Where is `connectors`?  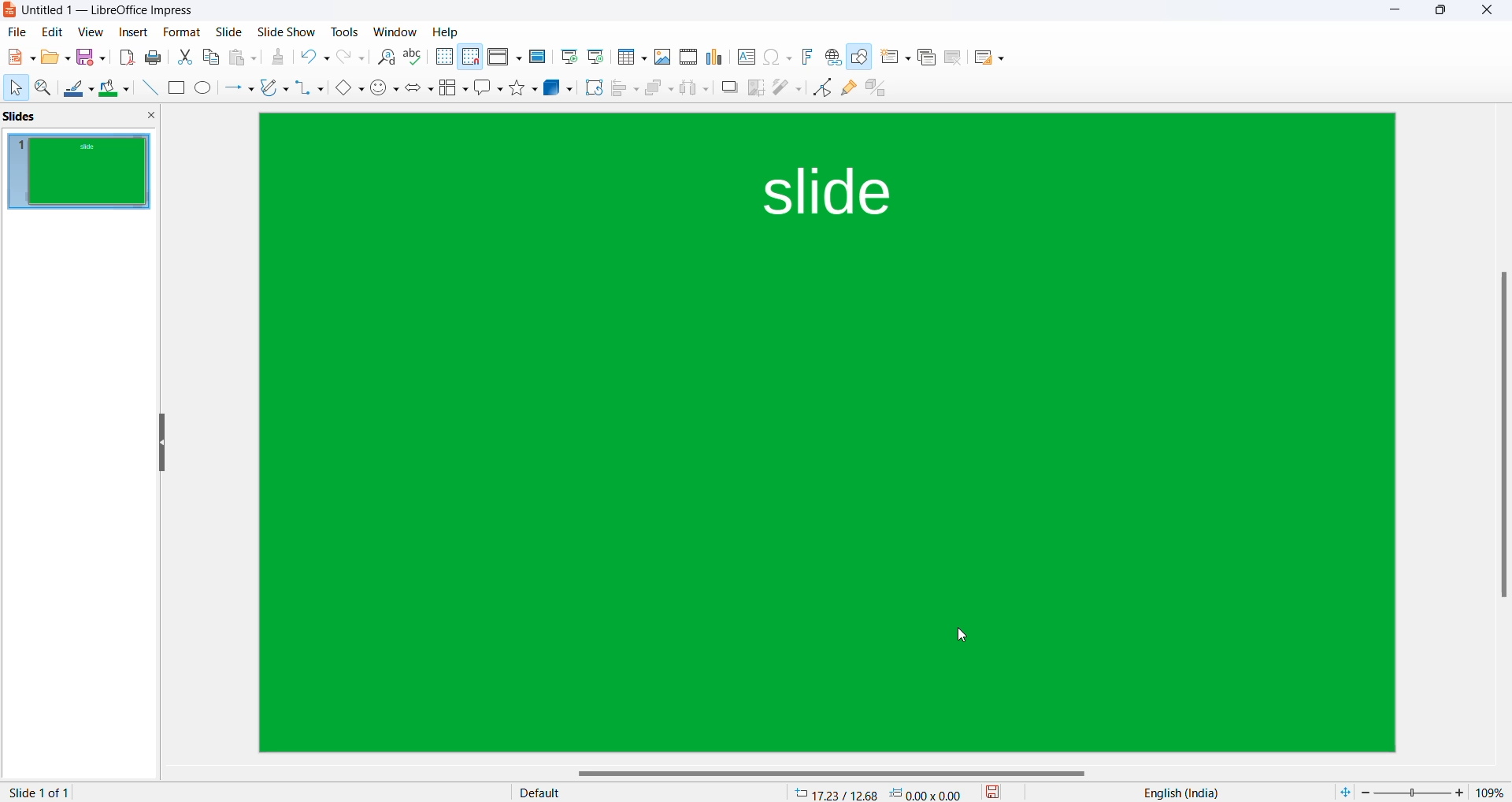
connectors is located at coordinates (310, 89).